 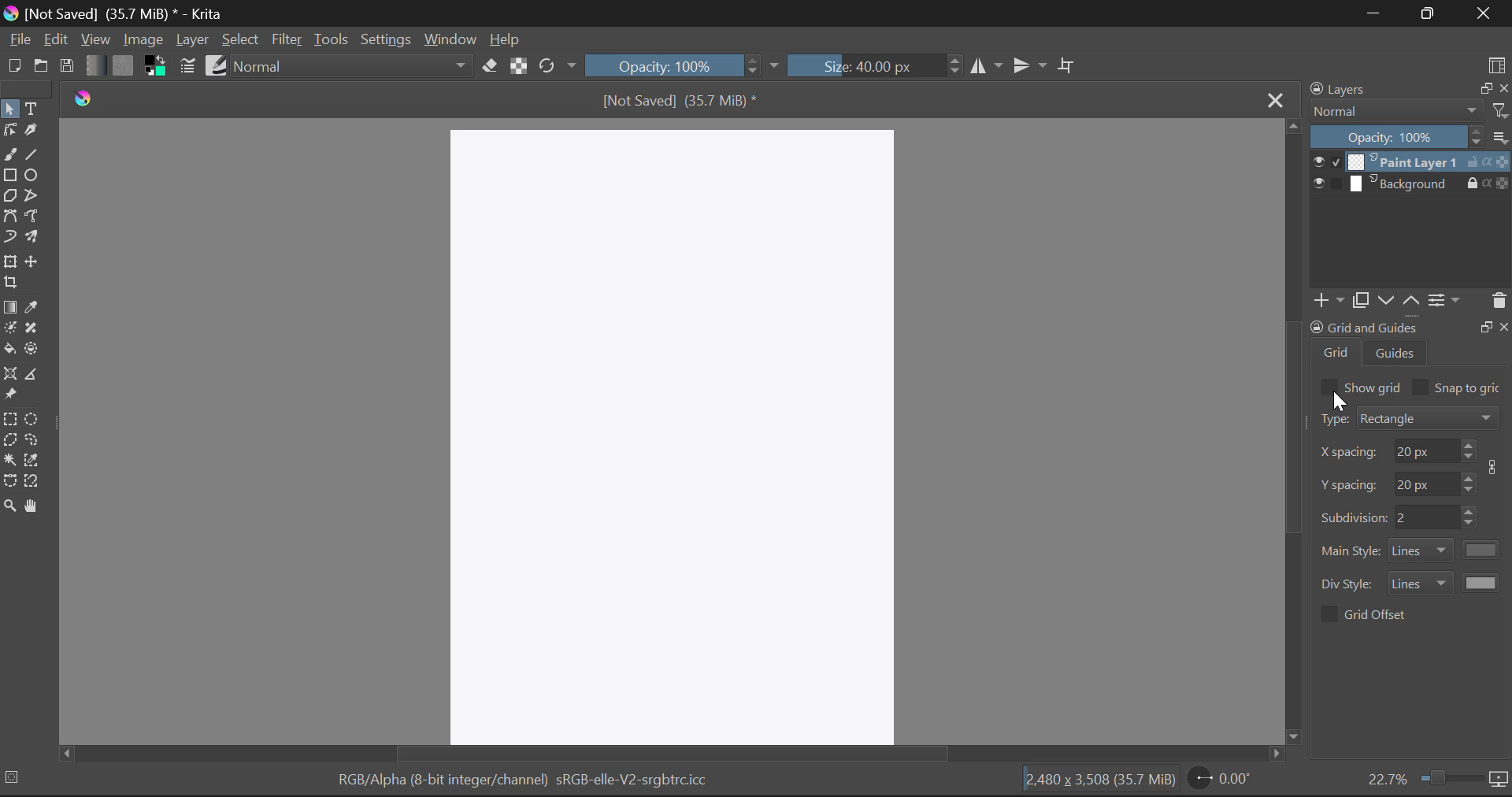 What do you see at coordinates (9, 308) in the screenshot?
I see `Gradient Fill` at bounding box center [9, 308].